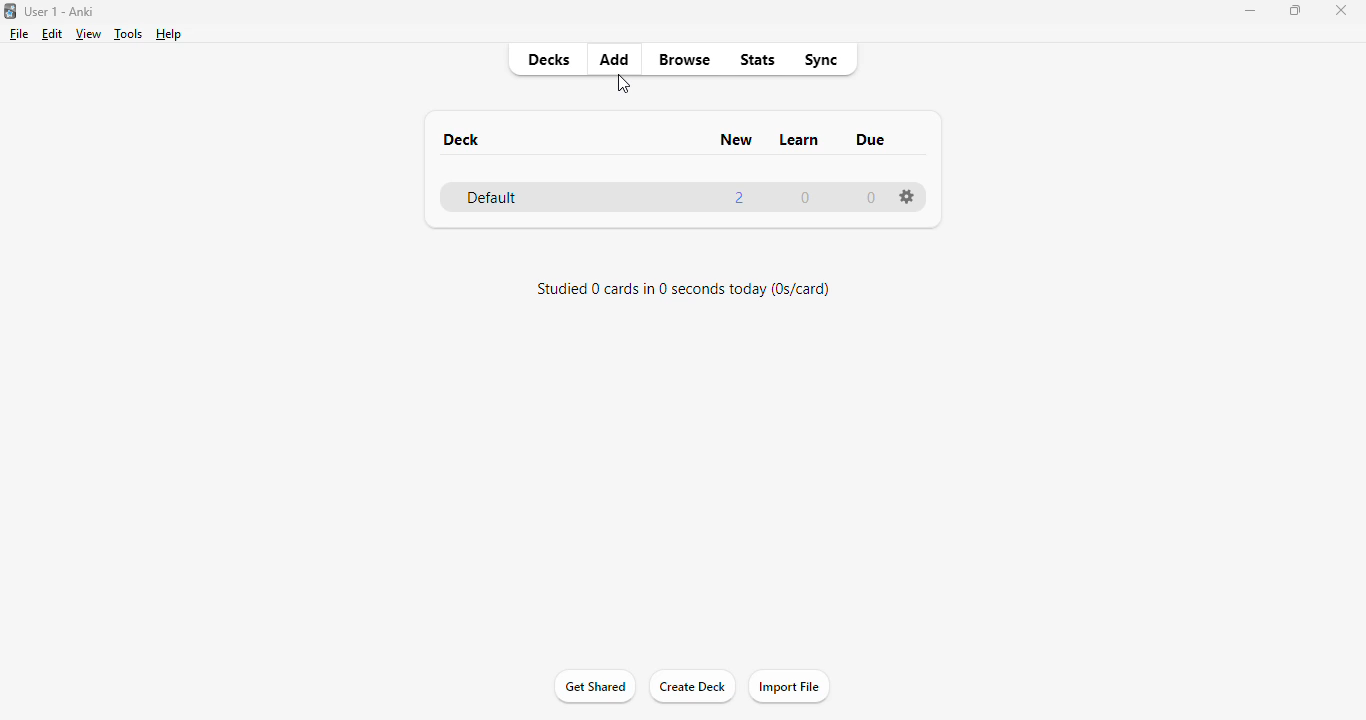 This screenshot has width=1366, height=720. What do you see at coordinates (490, 199) in the screenshot?
I see `default` at bounding box center [490, 199].